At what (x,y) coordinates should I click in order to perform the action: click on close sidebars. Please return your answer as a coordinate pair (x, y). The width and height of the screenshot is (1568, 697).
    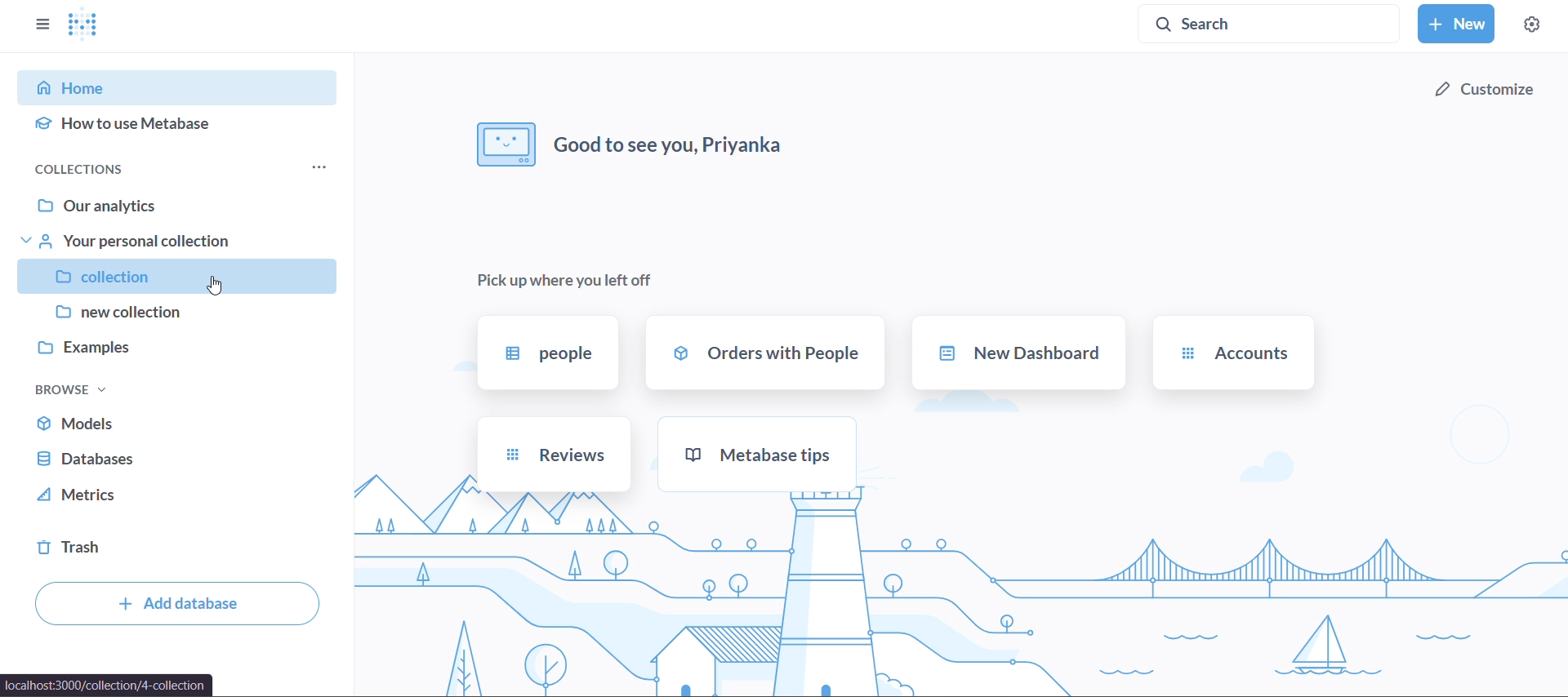
    Looking at the image, I should click on (42, 23).